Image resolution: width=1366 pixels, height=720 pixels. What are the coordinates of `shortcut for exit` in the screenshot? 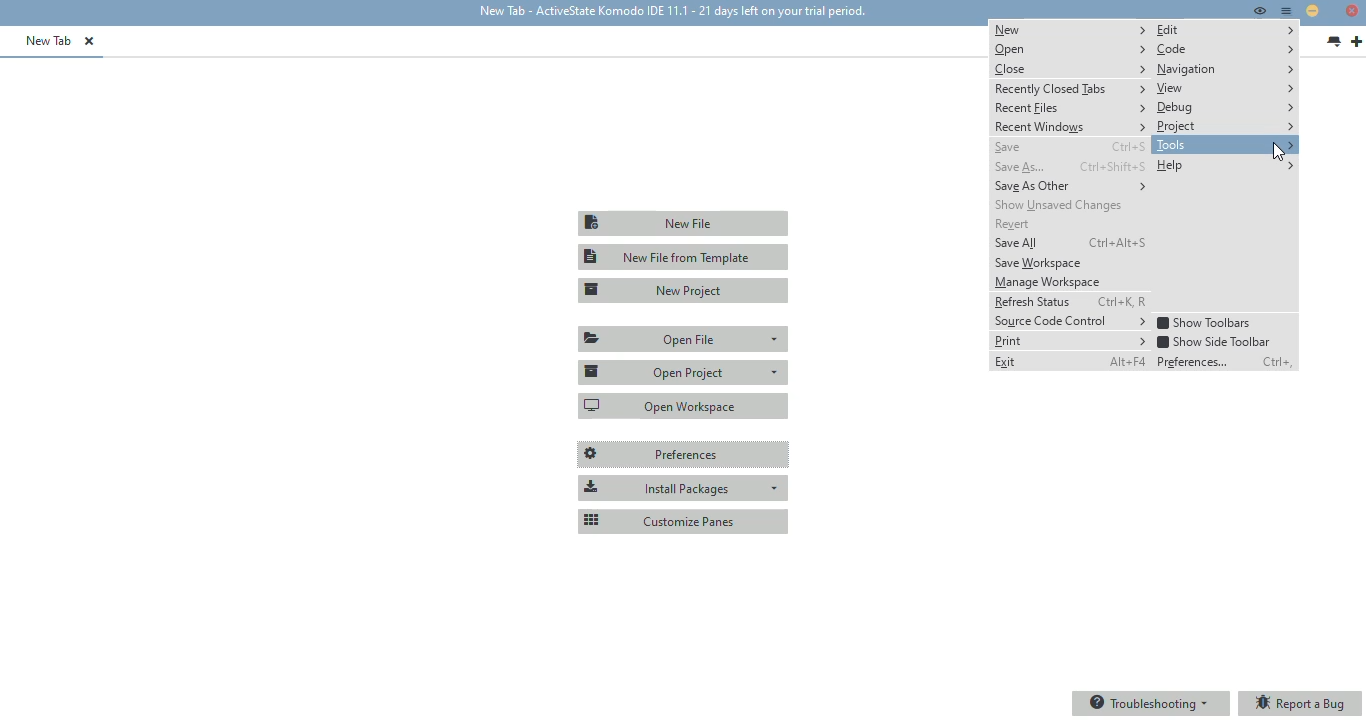 It's located at (1127, 361).